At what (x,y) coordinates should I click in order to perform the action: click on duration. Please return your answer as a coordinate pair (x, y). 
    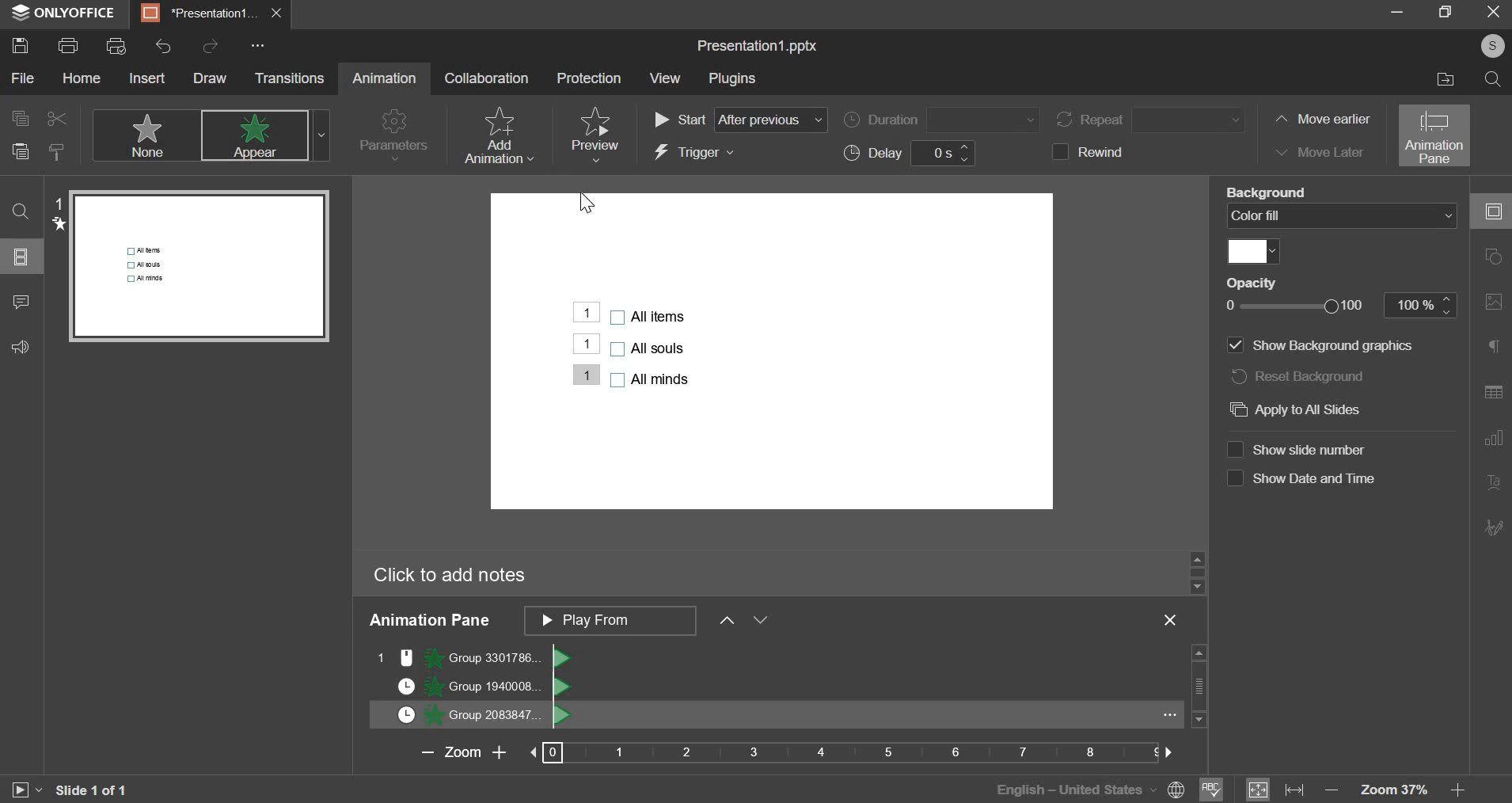
    Looking at the image, I should click on (940, 120).